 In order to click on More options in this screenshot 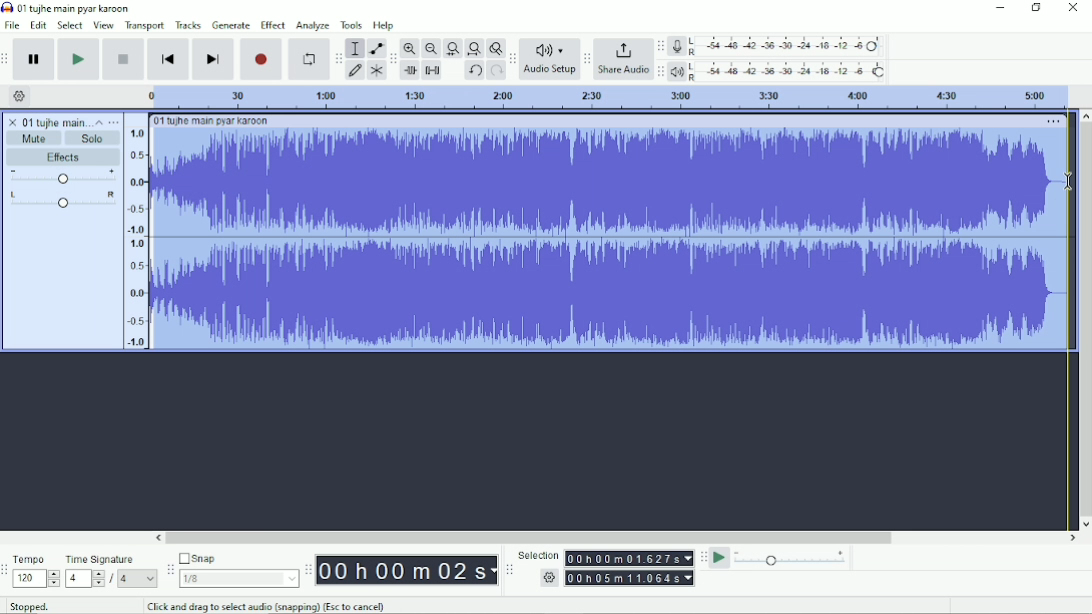, I will do `click(113, 122)`.